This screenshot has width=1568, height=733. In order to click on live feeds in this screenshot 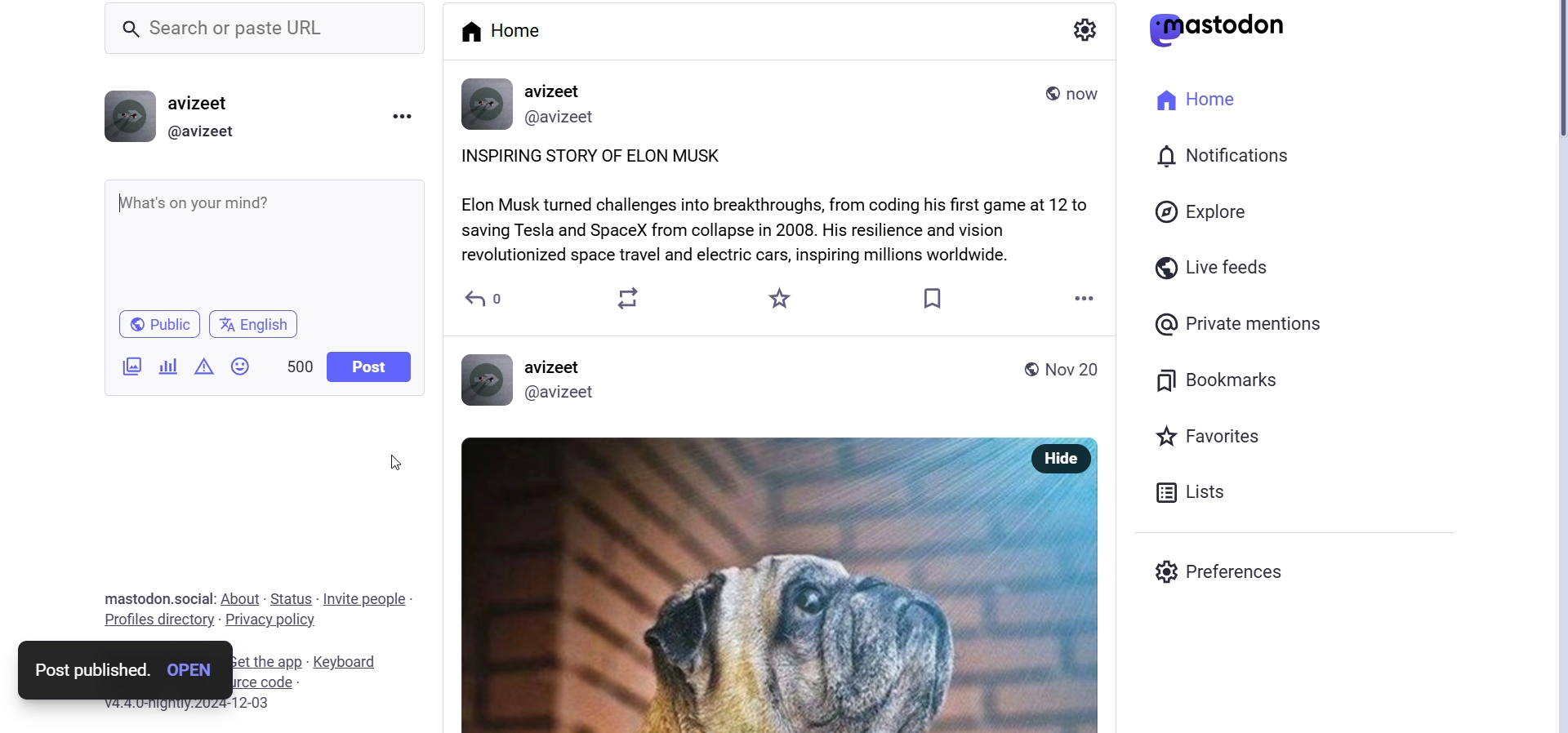, I will do `click(1210, 269)`.